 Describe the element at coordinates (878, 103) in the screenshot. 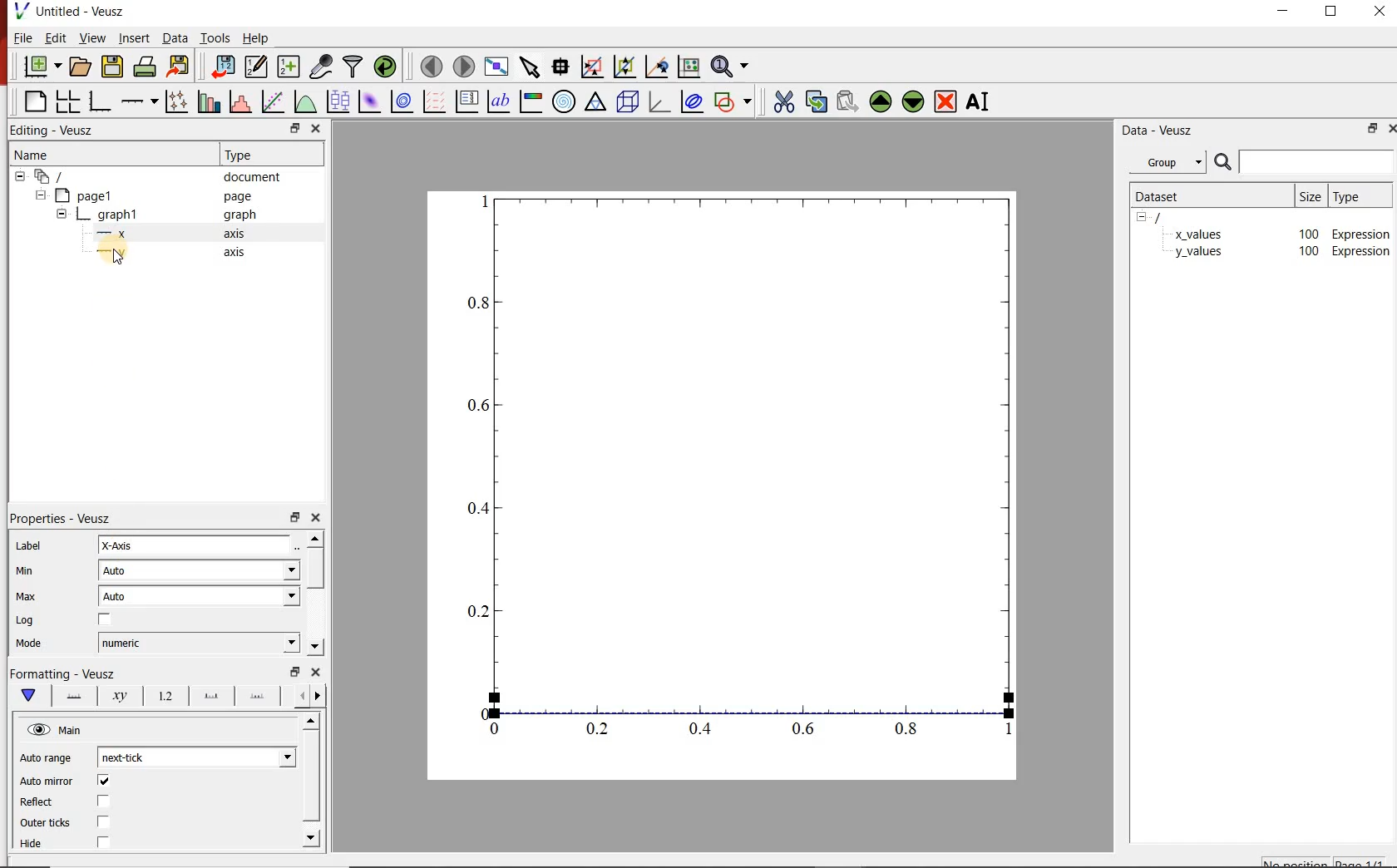

I see `move up the the selected widget` at that location.